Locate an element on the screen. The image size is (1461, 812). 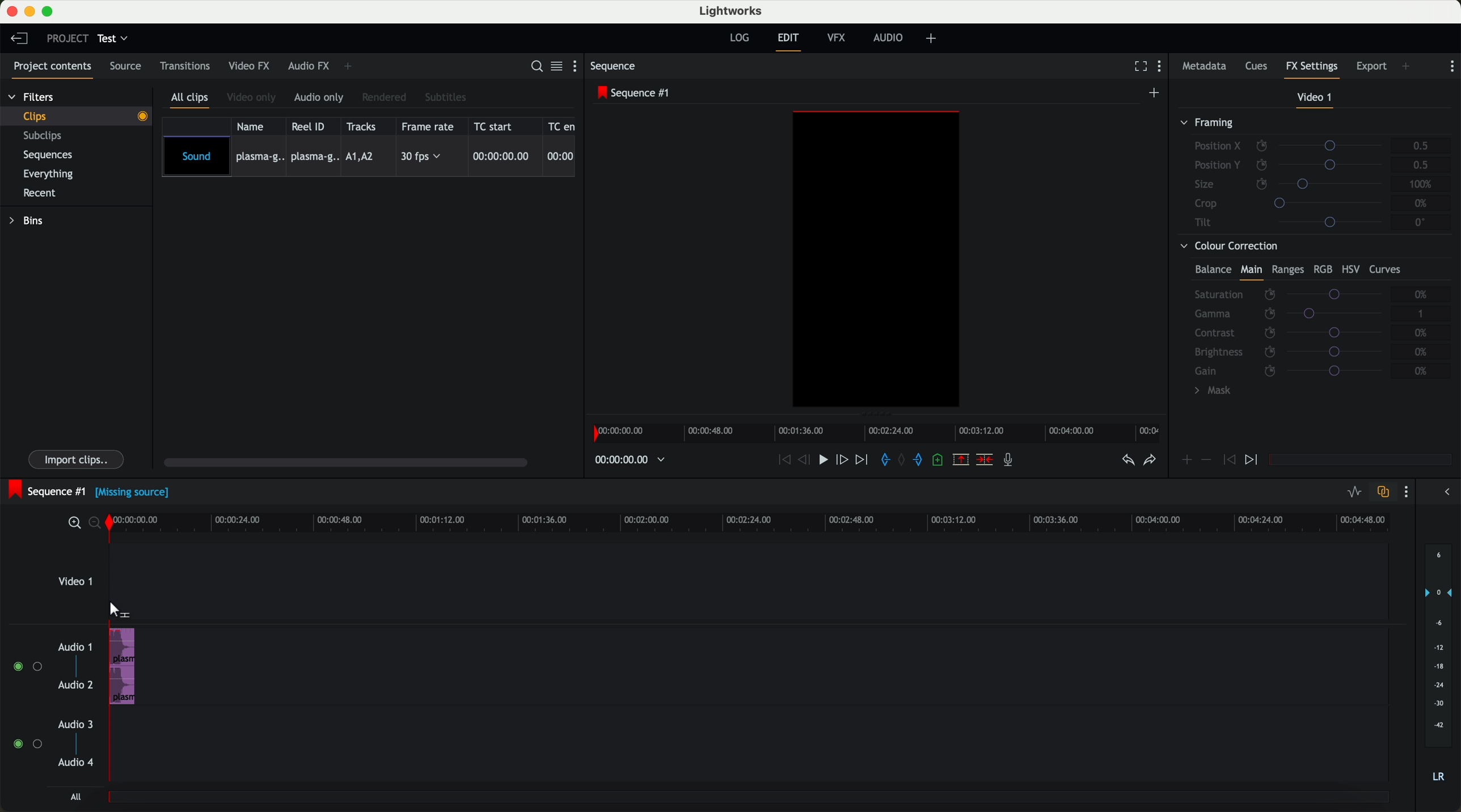
toggle auto track sync is located at coordinates (1383, 492).